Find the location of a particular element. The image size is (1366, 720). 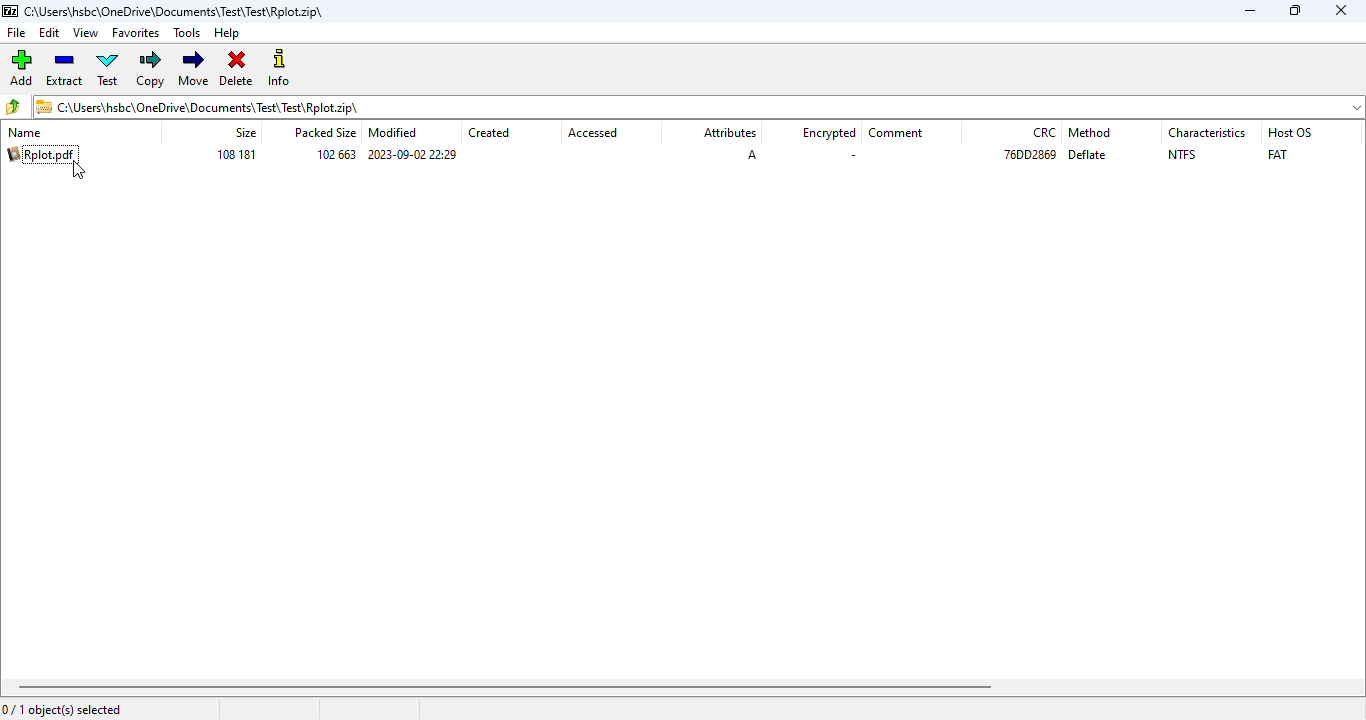

Rplot.pdf is located at coordinates (42, 154).